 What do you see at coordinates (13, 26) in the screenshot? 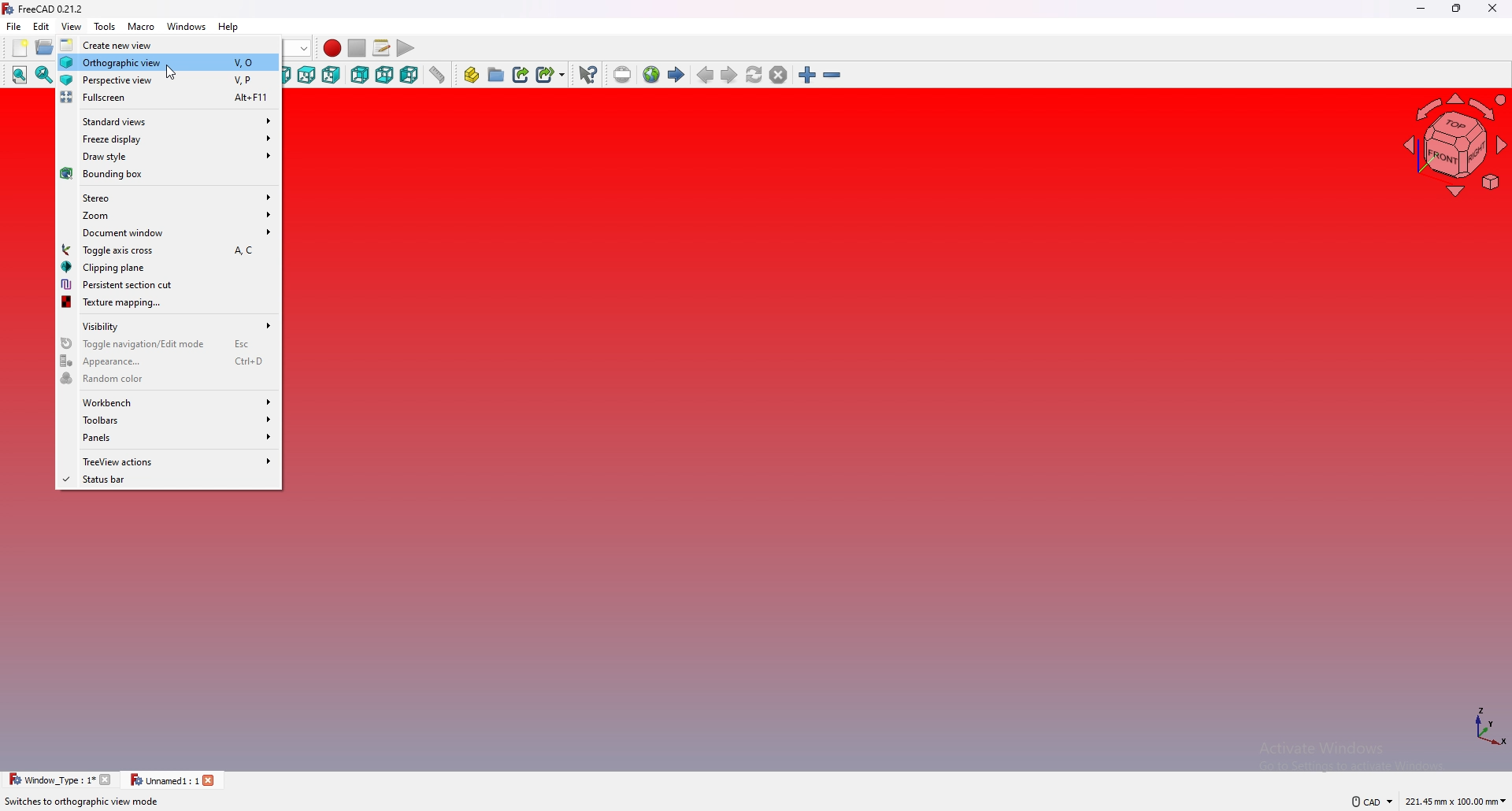
I see `file` at bounding box center [13, 26].